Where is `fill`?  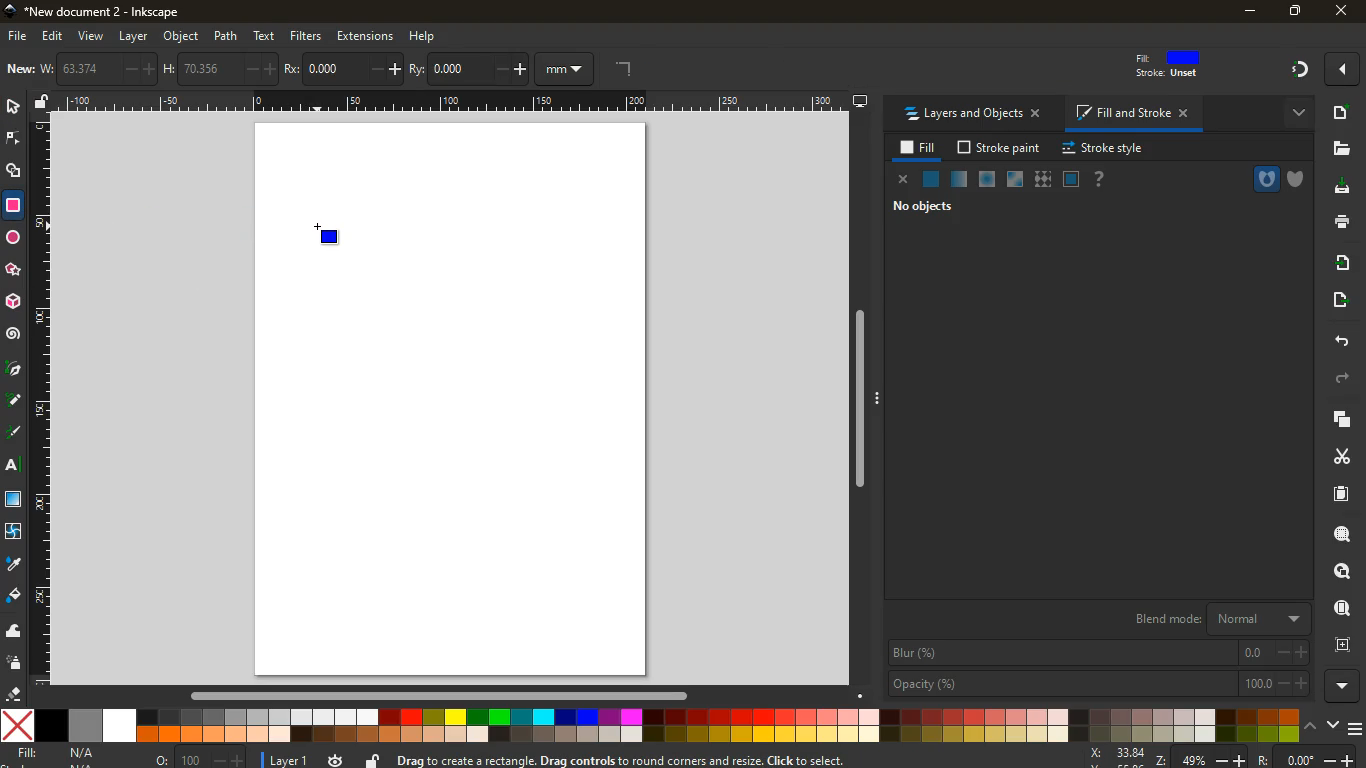 fill is located at coordinates (918, 151).